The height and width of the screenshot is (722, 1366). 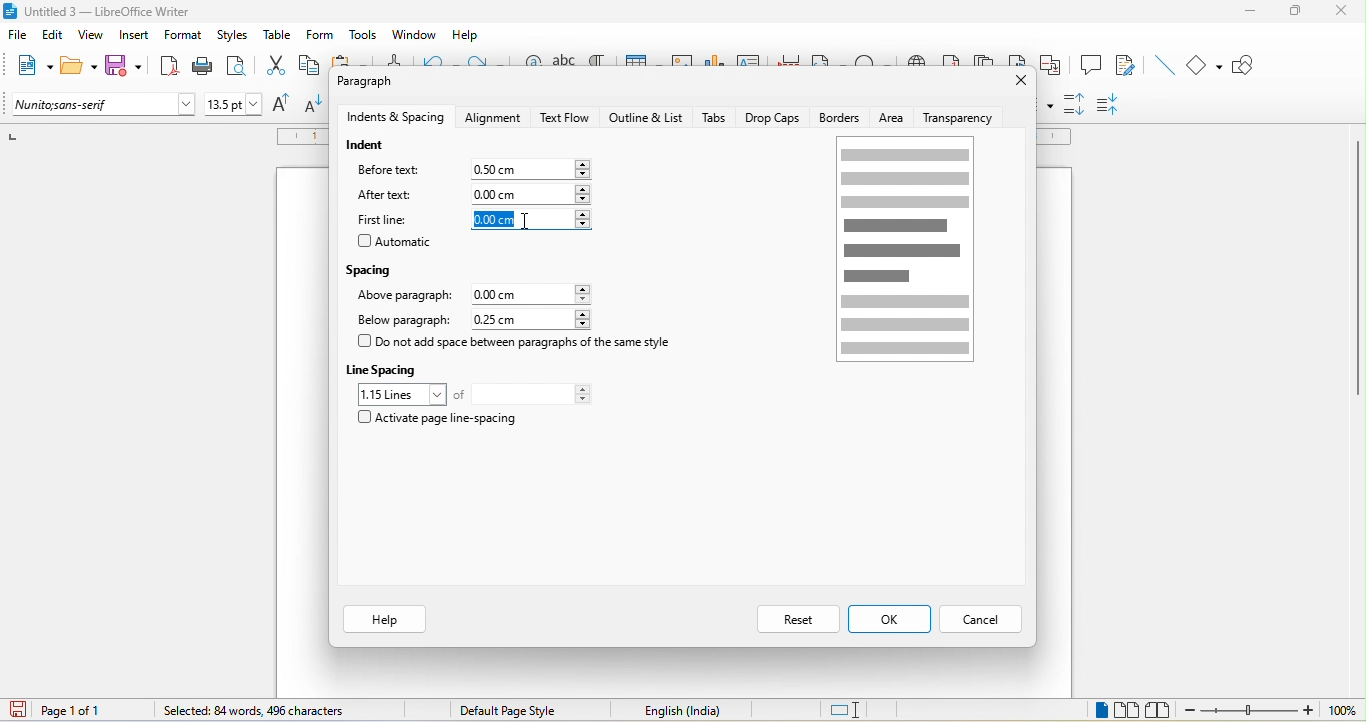 I want to click on comment, so click(x=1091, y=63).